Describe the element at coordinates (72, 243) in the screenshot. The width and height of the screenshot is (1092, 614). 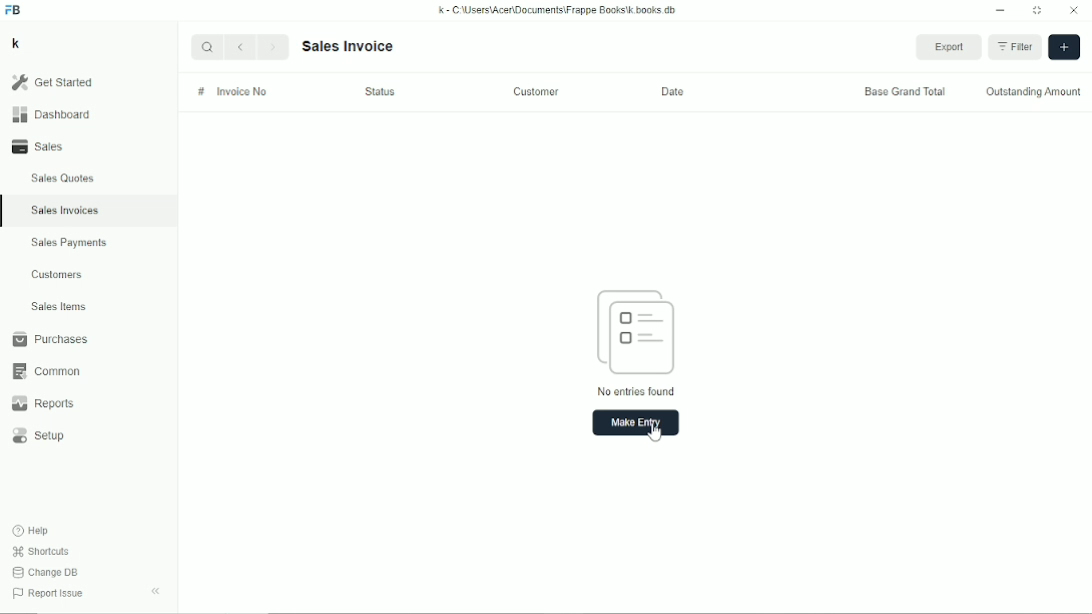
I see `Sales payments` at that location.